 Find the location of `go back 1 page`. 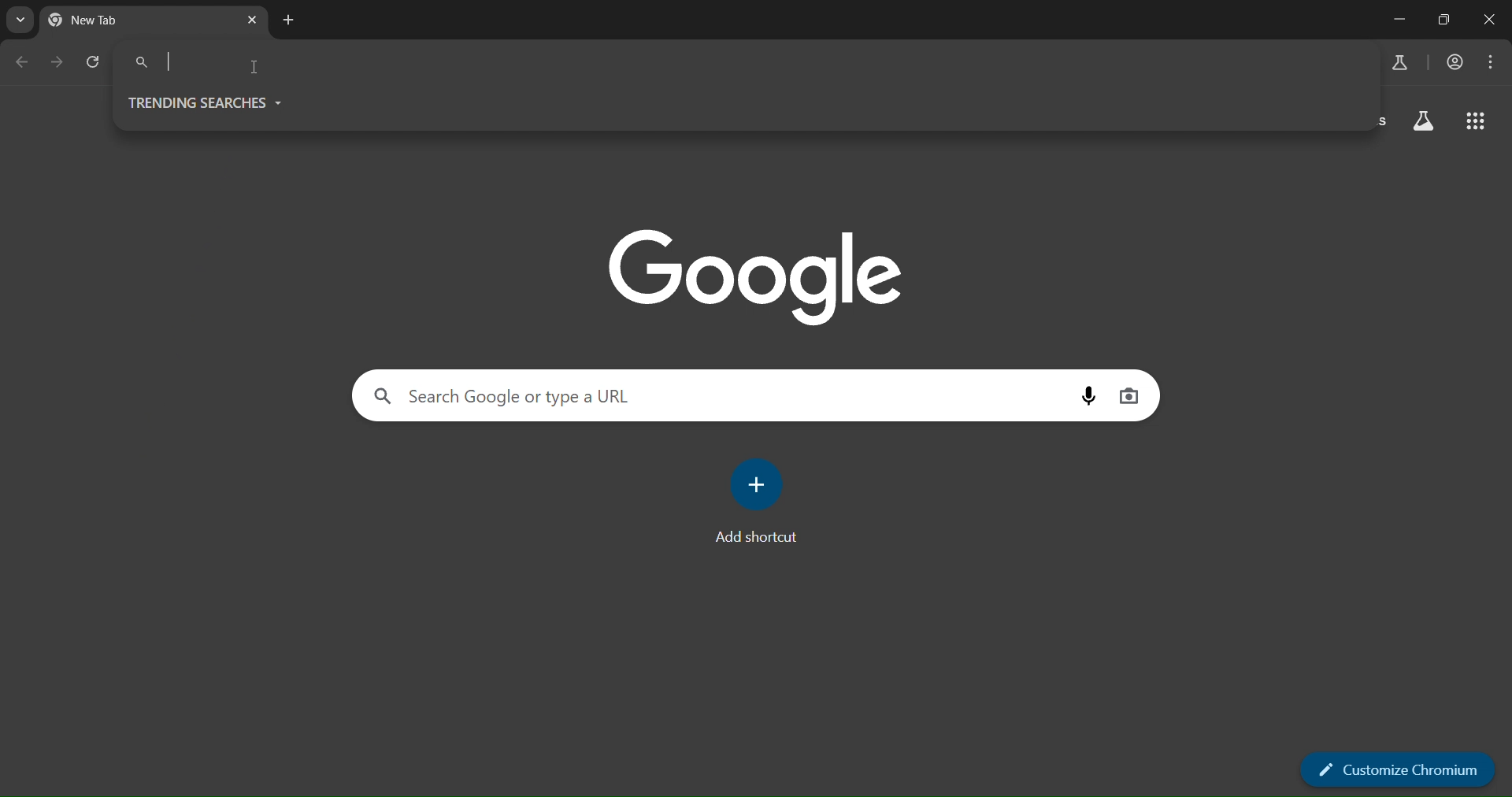

go back 1 page is located at coordinates (25, 64).